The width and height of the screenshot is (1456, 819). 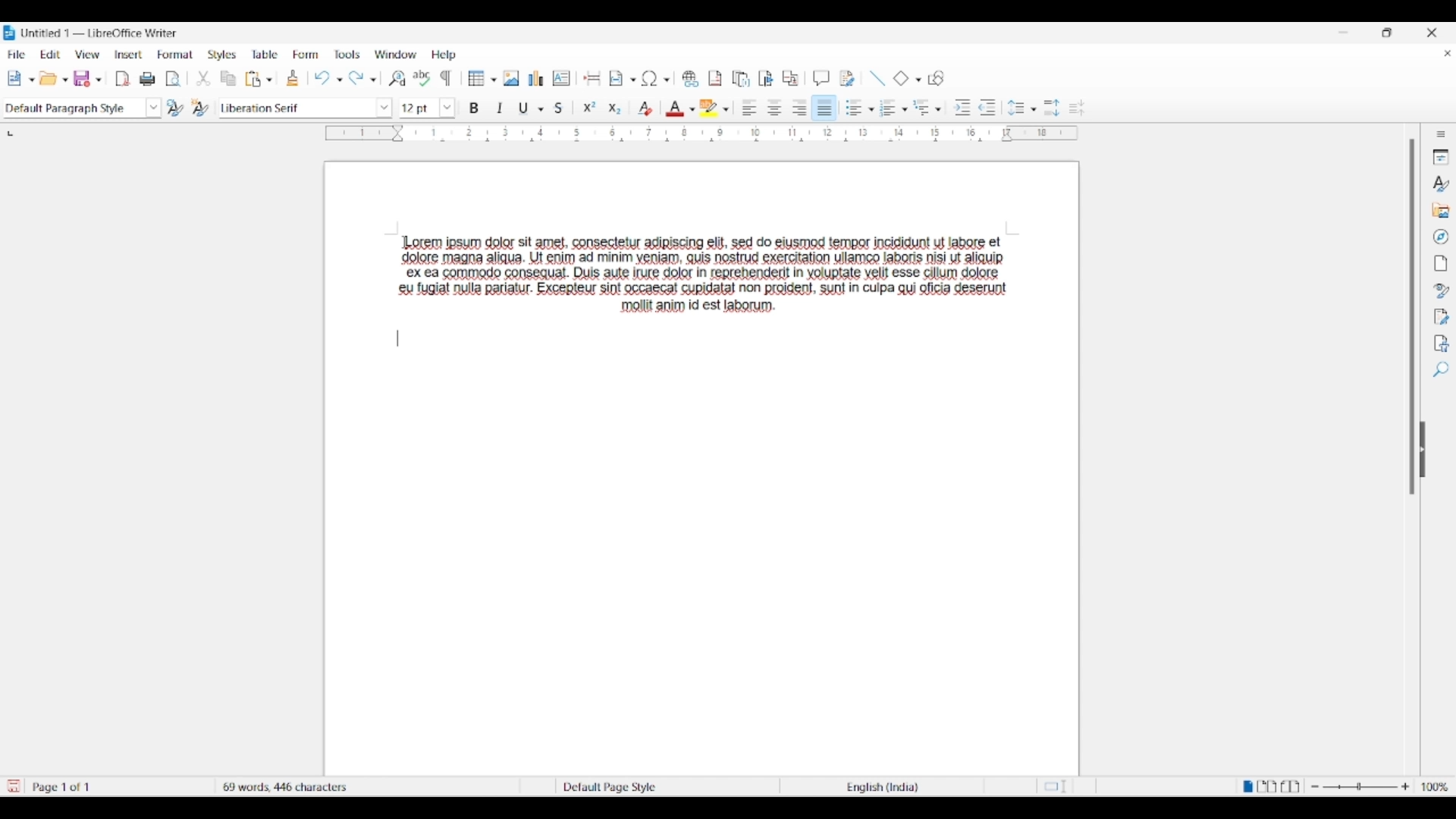 What do you see at coordinates (419, 108) in the screenshot?
I see `Manually change font size` at bounding box center [419, 108].